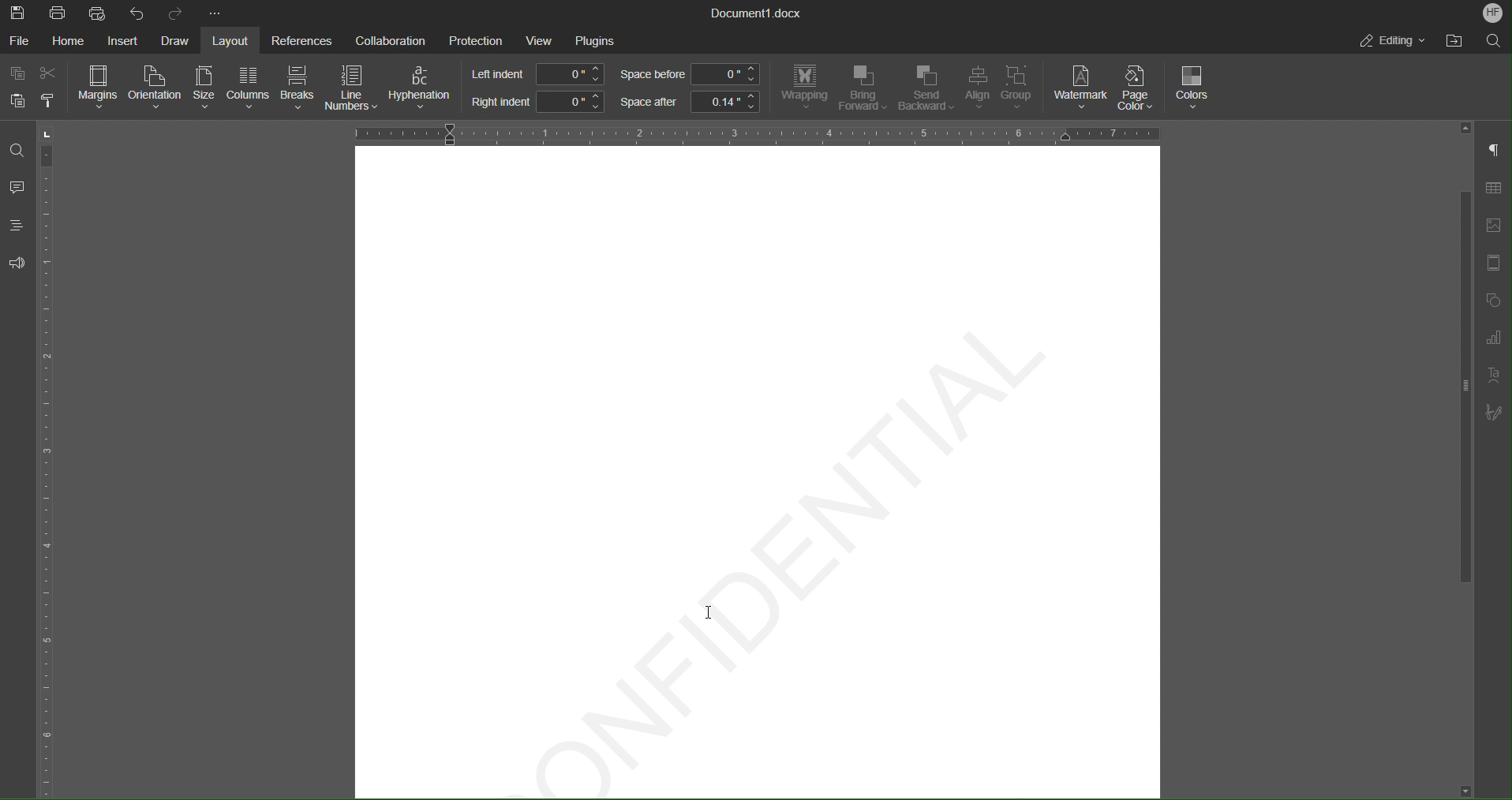 The width and height of the screenshot is (1512, 800). What do you see at coordinates (21, 40) in the screenshot?
I see `File` at bounding box center [21, 40].